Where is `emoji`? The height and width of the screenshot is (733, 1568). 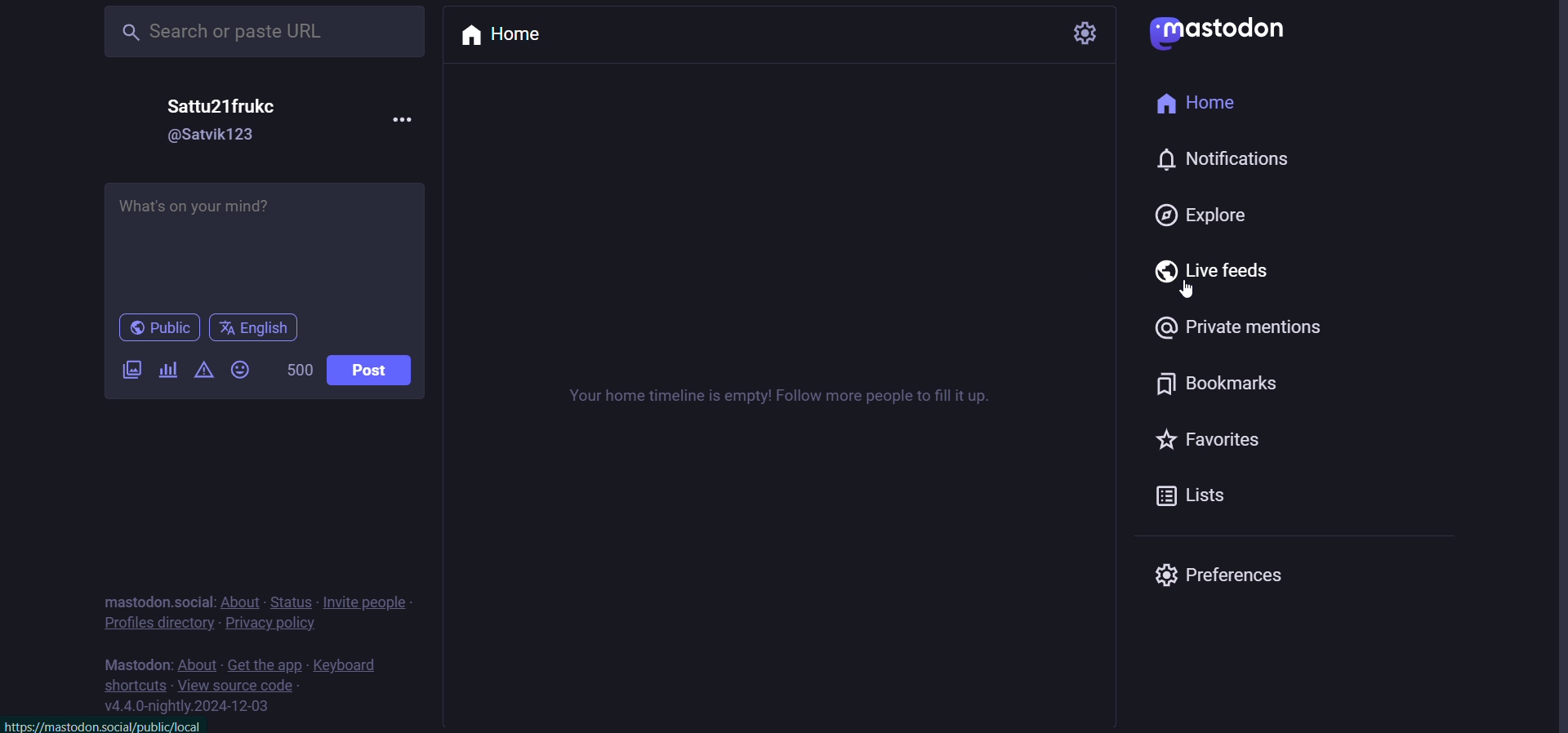 emoji is located at coordinates (239, 371).